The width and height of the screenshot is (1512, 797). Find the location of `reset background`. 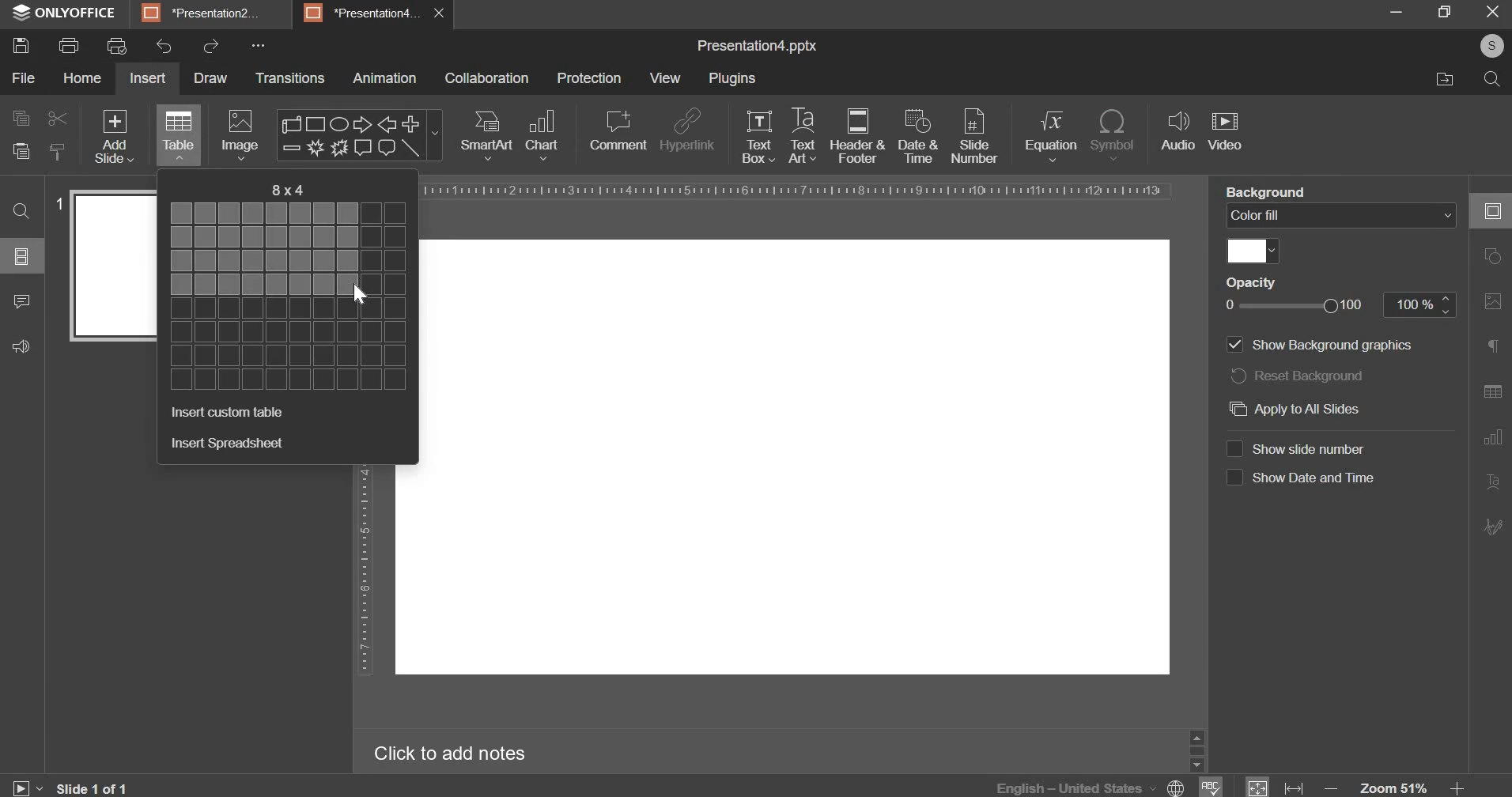

reset background is located at coordinates (1297, 375).